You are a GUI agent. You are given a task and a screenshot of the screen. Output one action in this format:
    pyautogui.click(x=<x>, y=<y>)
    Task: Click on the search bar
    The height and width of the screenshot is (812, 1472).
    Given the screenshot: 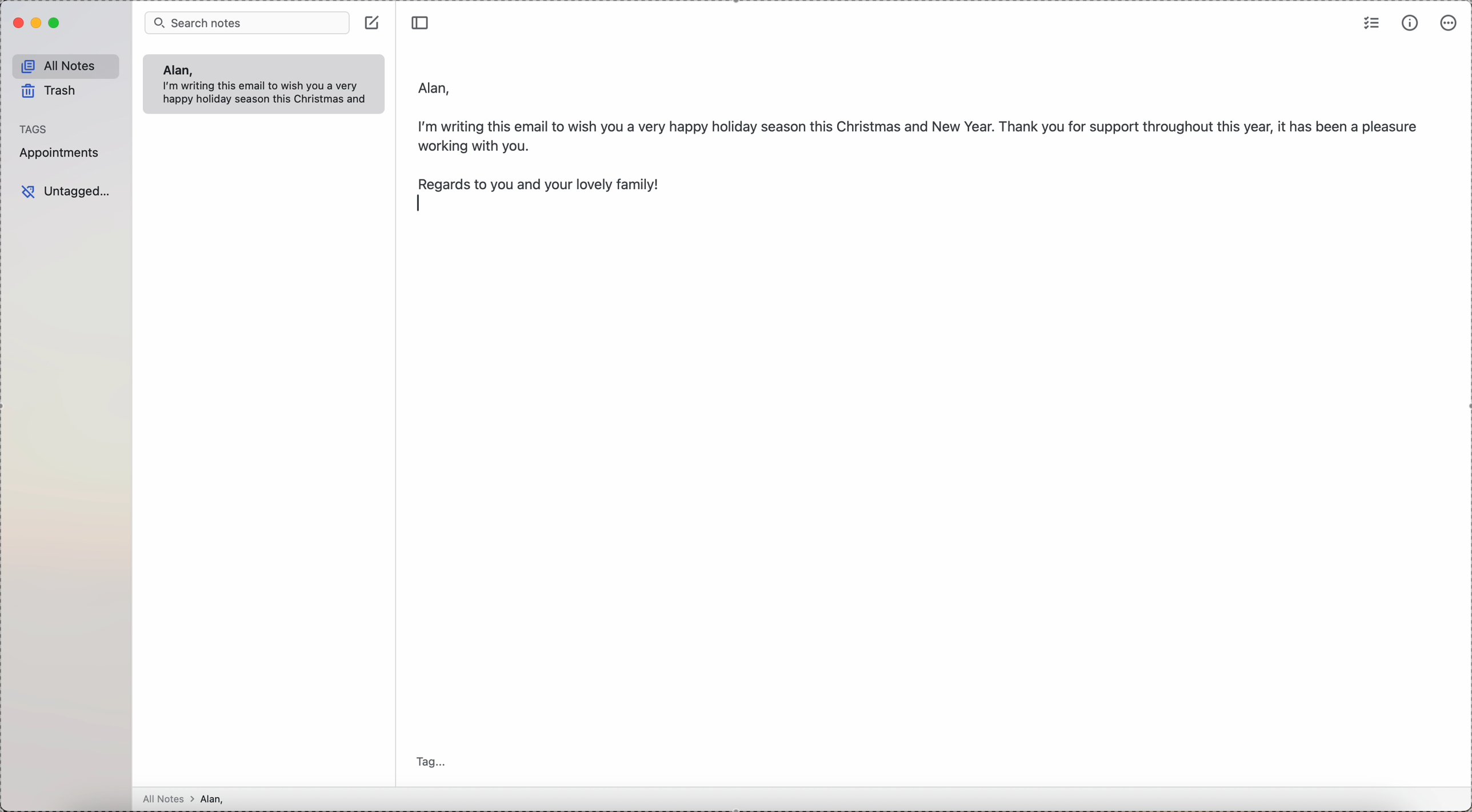 What is the action you would take?
    pyautogui.click(x=247, y=22)
    